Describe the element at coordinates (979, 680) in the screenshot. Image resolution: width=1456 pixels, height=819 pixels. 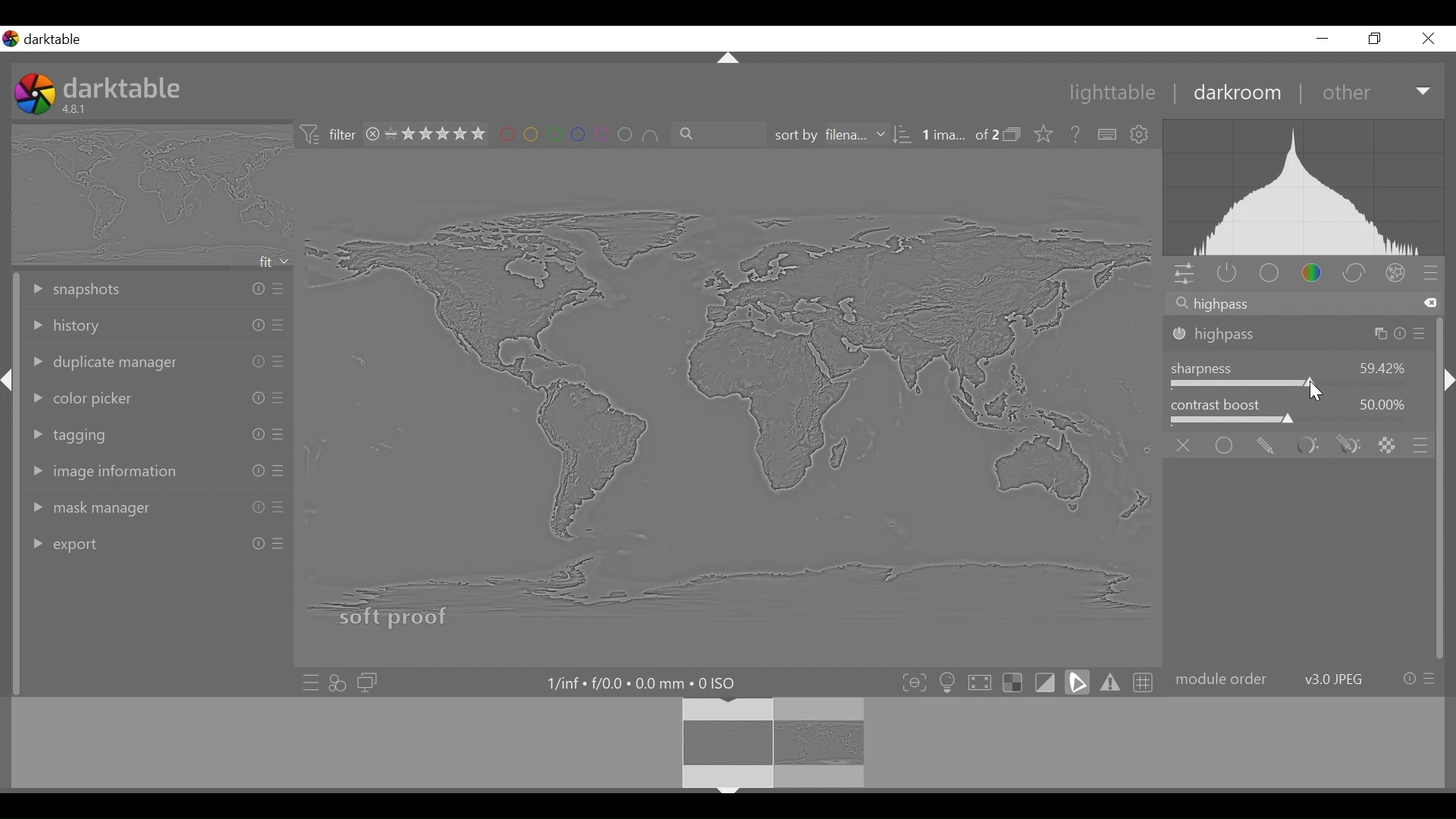
I see `toggle high quality processing` at that location.